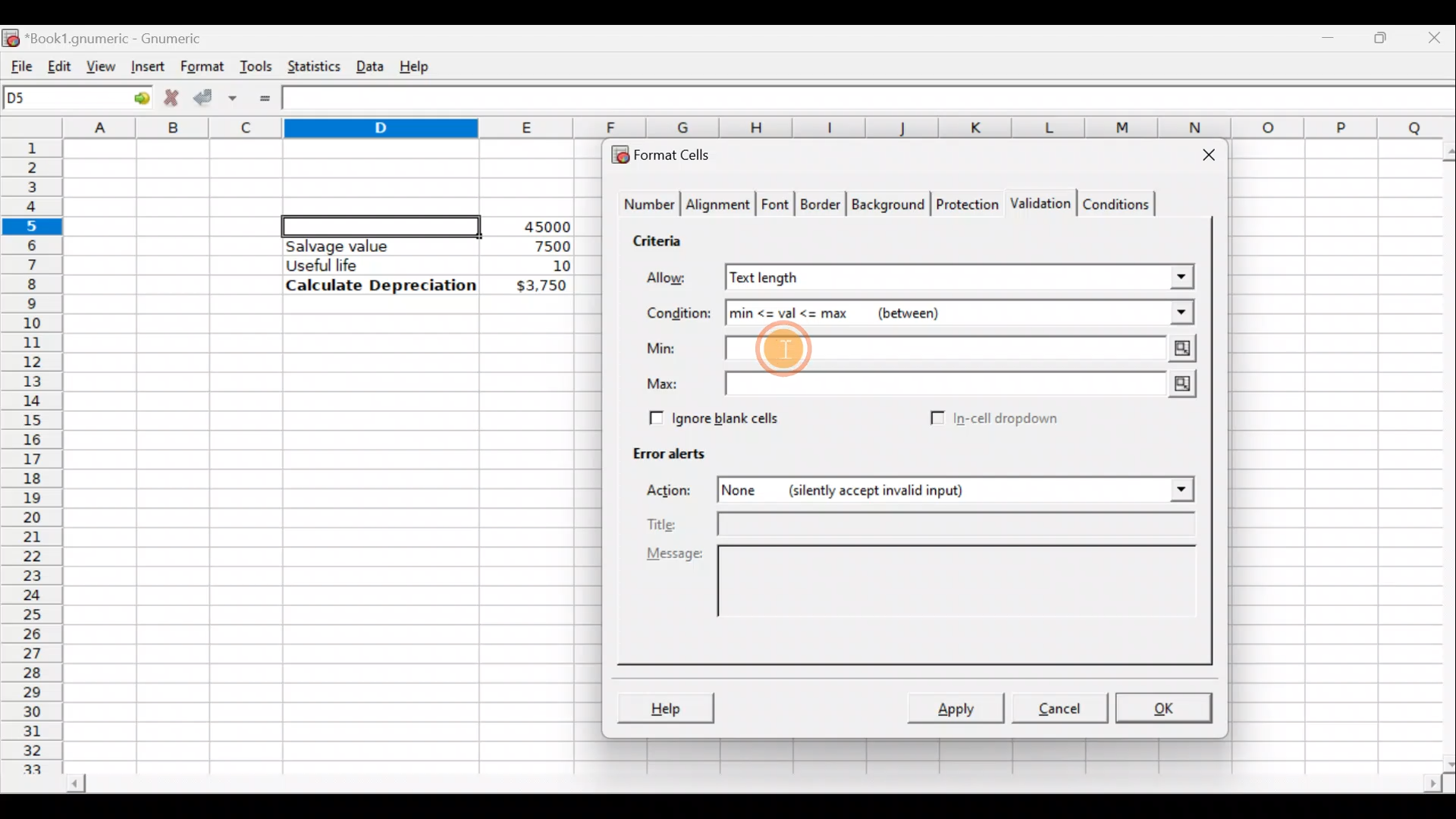 Image resolution: width=1456 pixels, height=819 pixels. Describe the element at coordinates (256, 65) in the screenshot. I see `Tools` at that location.